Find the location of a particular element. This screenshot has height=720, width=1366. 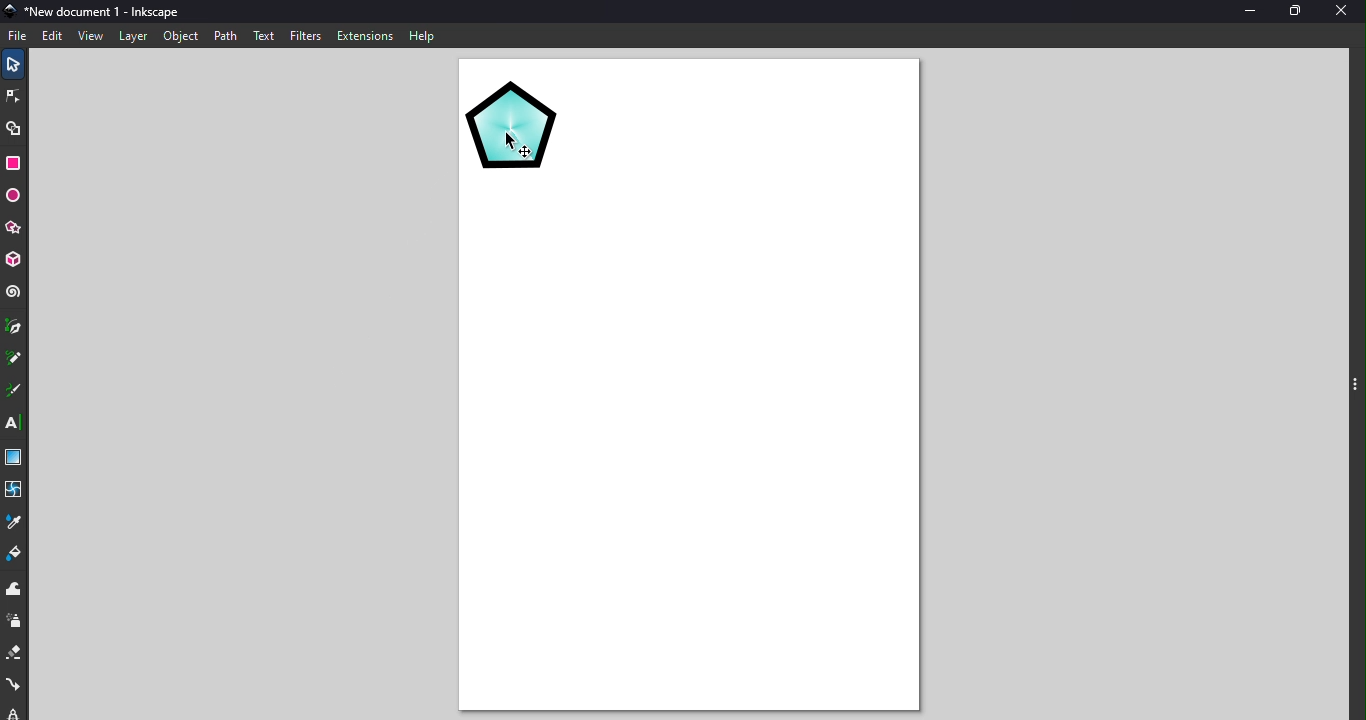

Spray tool is located at coordinates (14, 622).